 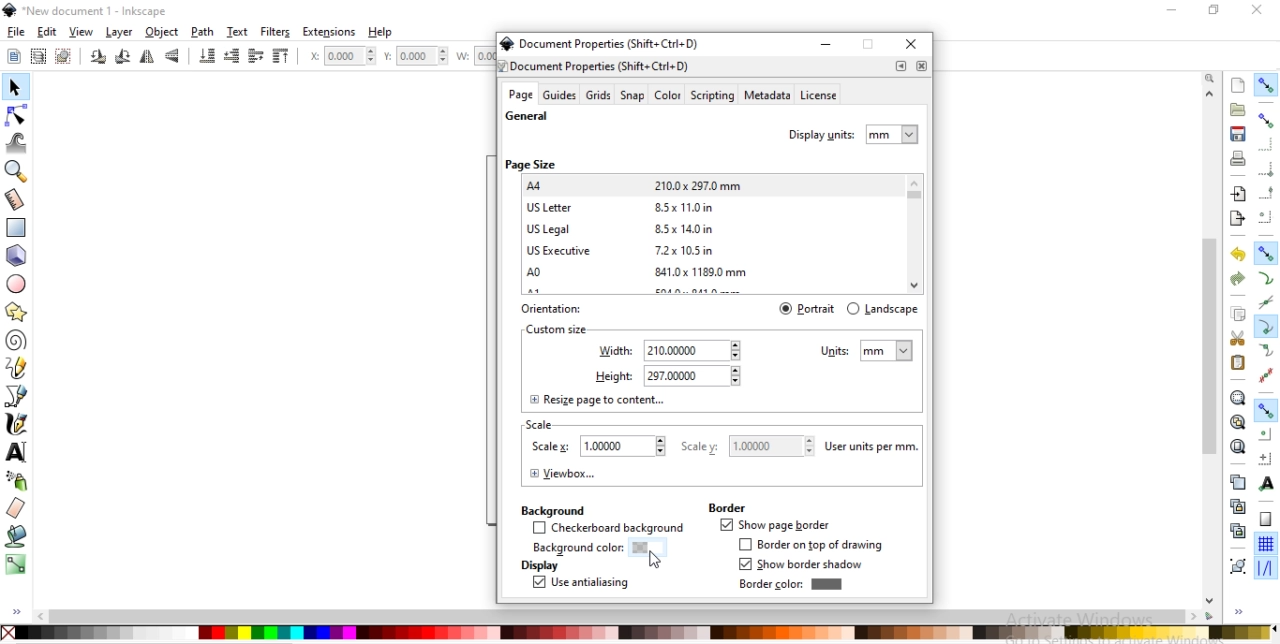 What do you see at coordinates (914, 46) in the screenshot?
I see `close` at bounding box center [914, 46].